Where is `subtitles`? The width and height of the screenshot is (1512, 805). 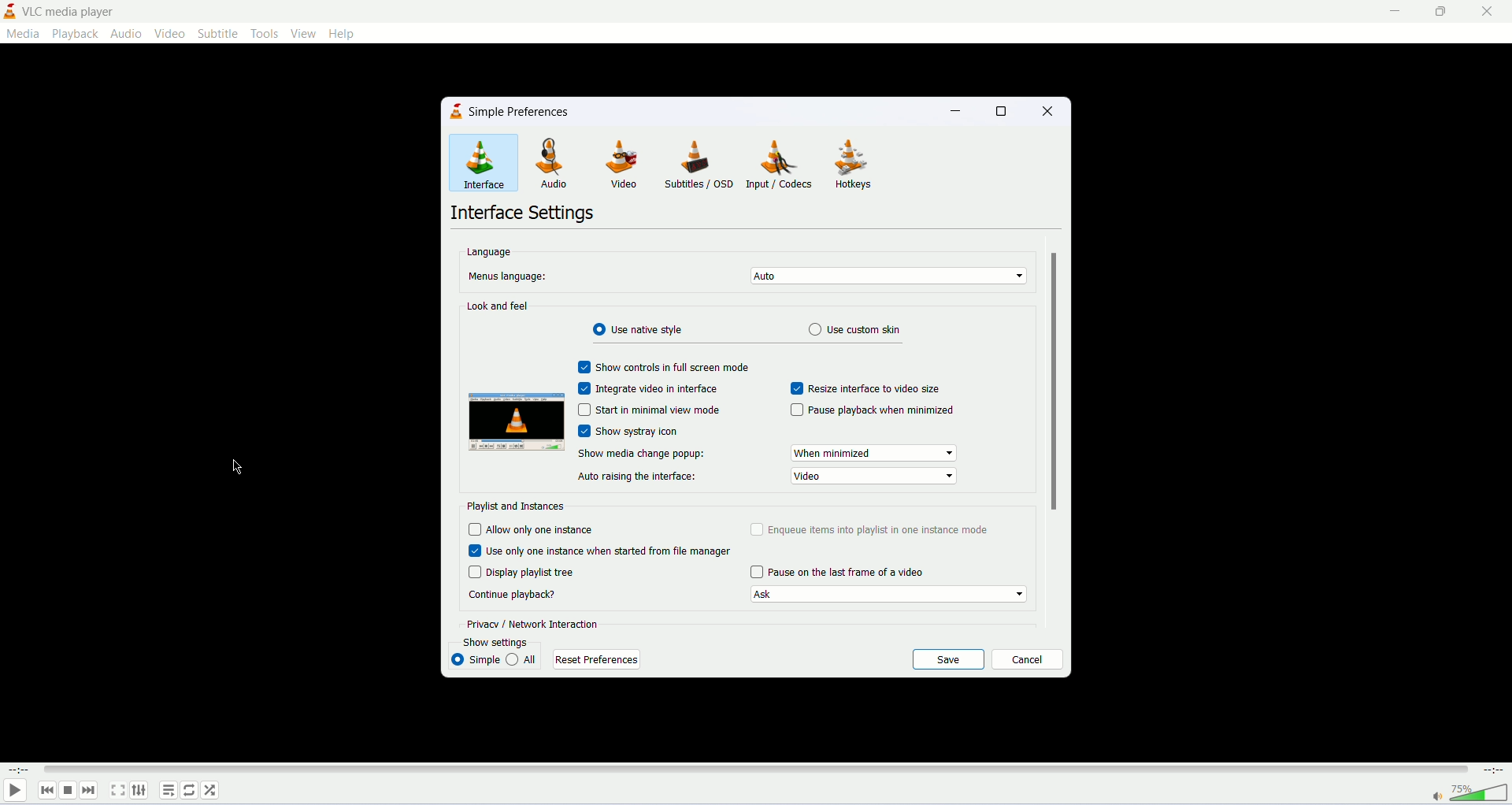
subtitles is located at coordinates (695, 164).